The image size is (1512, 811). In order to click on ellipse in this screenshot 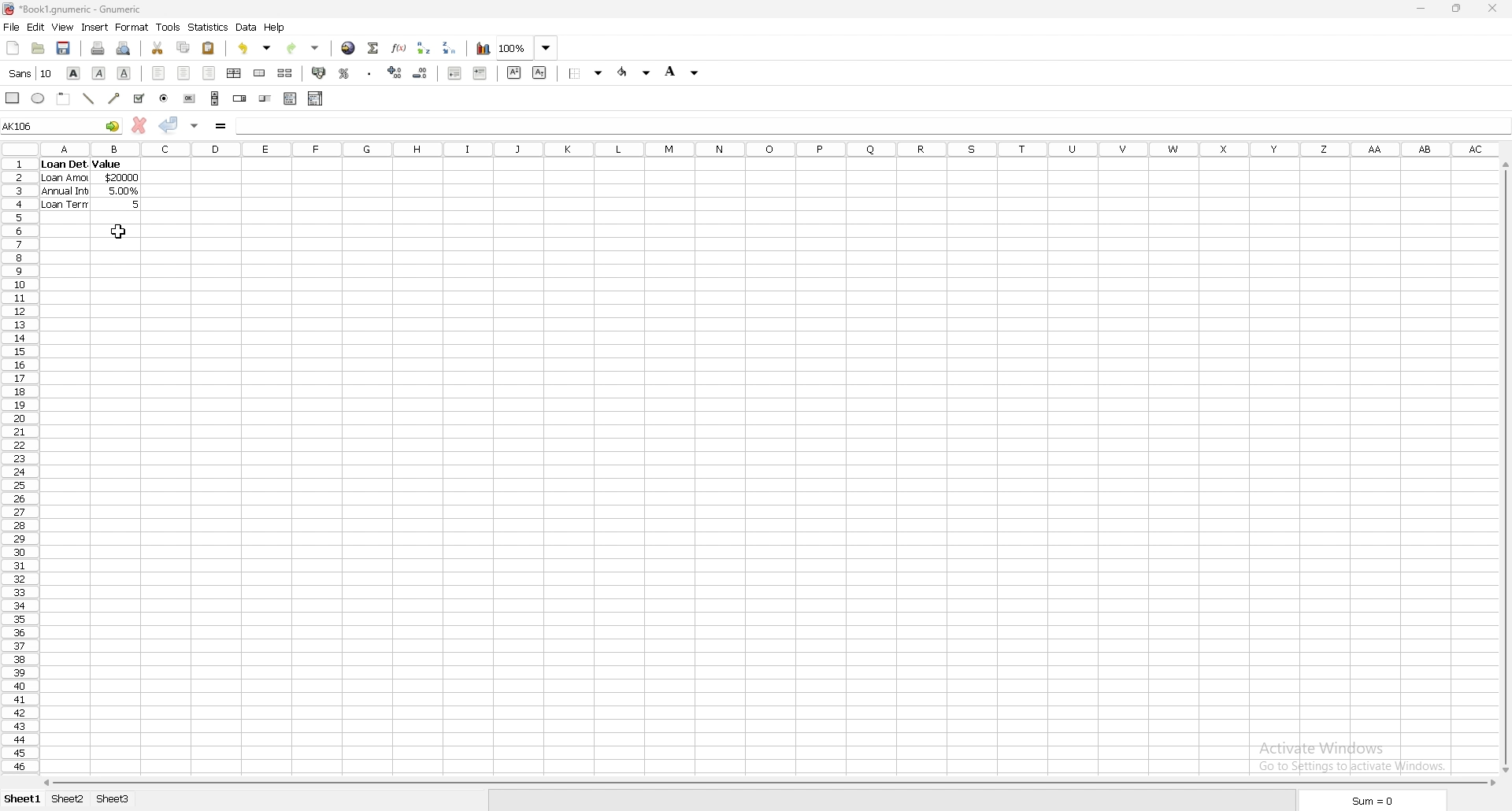, I will do `click(39, 98)`.